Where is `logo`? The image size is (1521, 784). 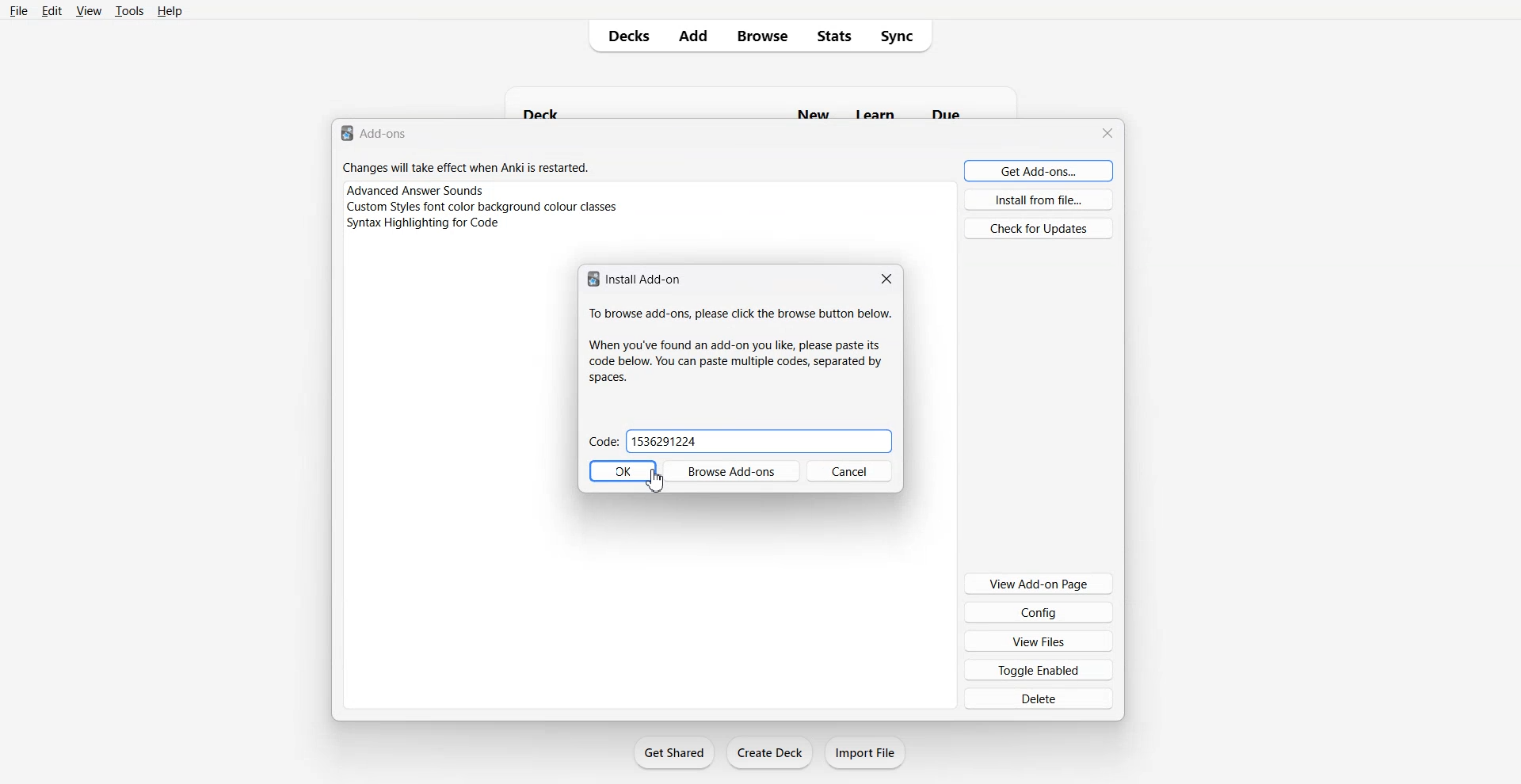 logo is located at coordinates (345, 134).